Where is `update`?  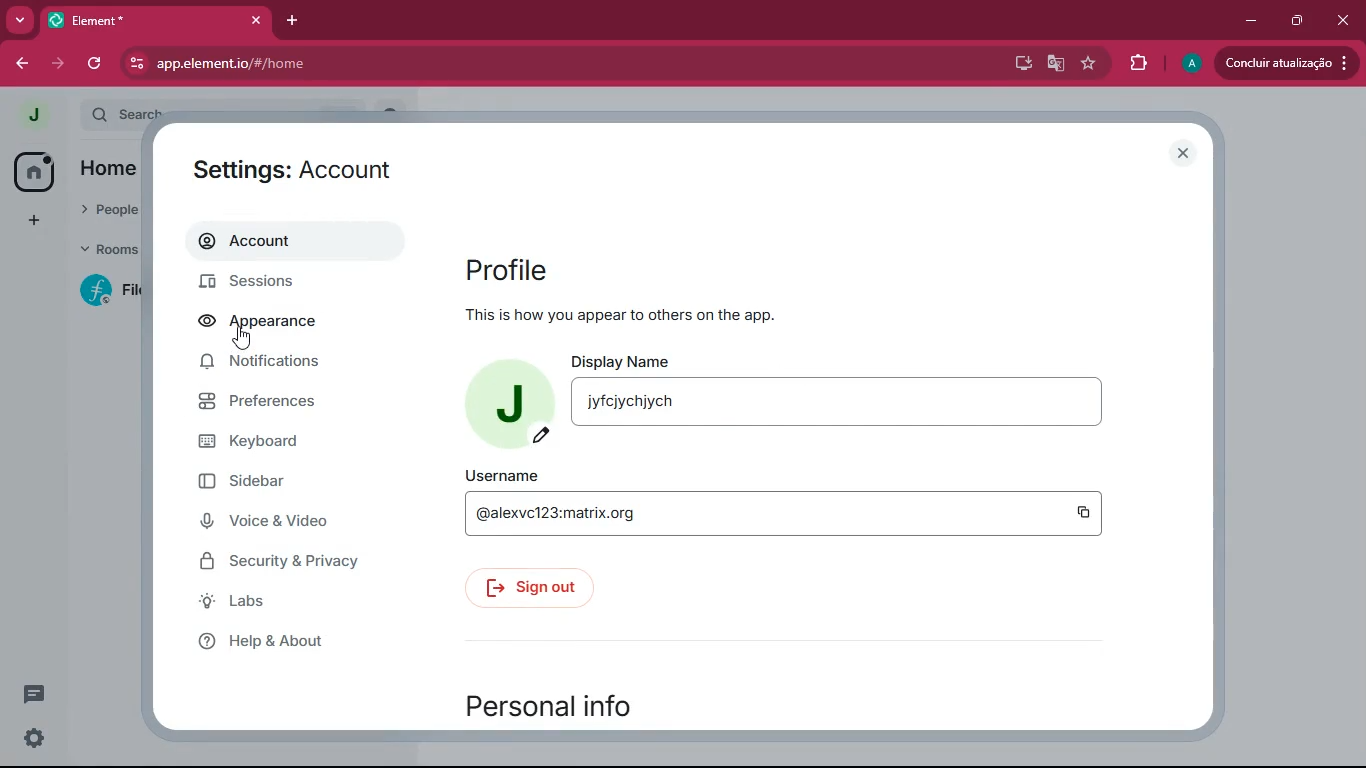 update is located at coordinates (1286, 65).